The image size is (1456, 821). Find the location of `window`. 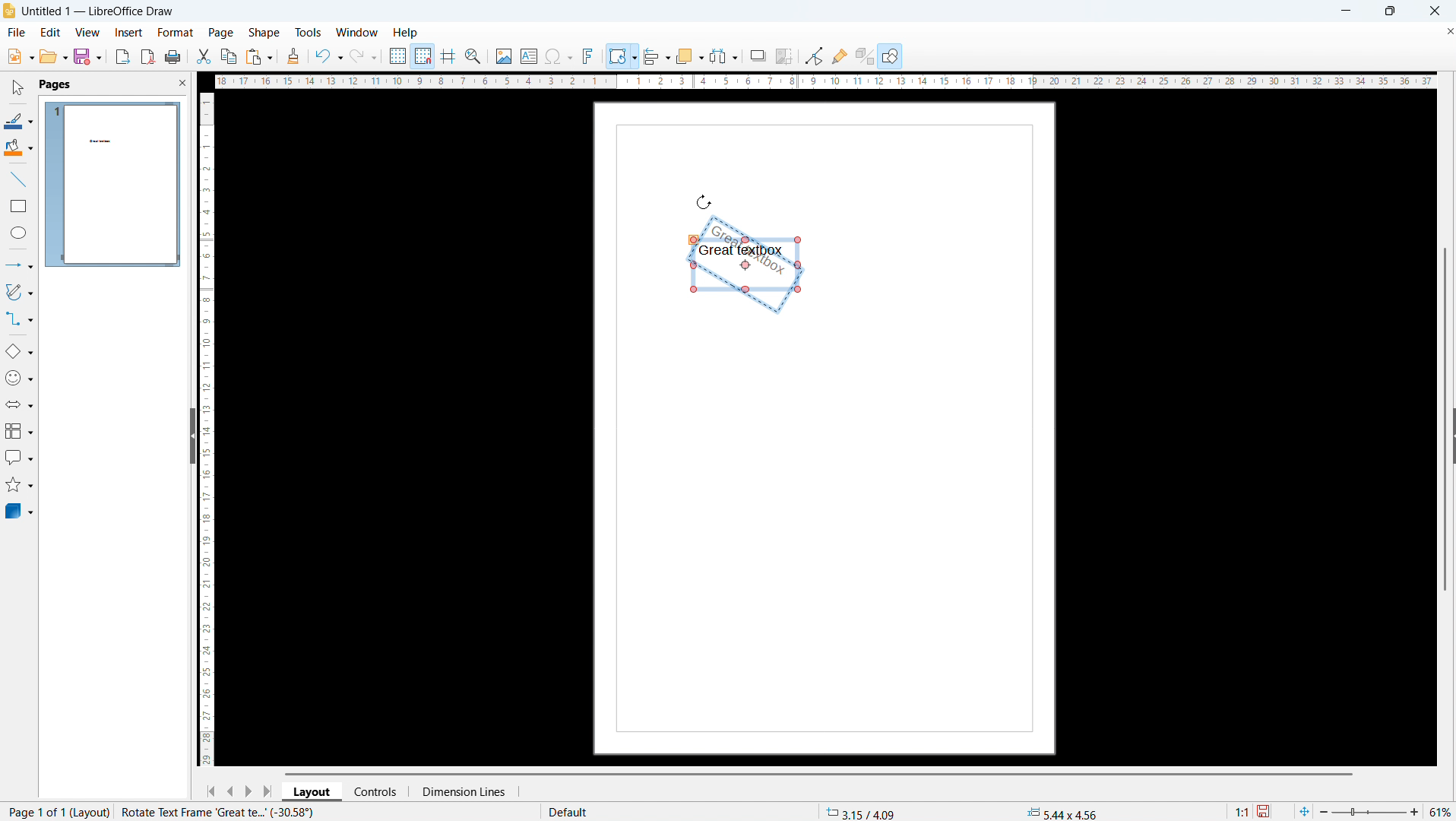

window is located at coordinates (357, 33).